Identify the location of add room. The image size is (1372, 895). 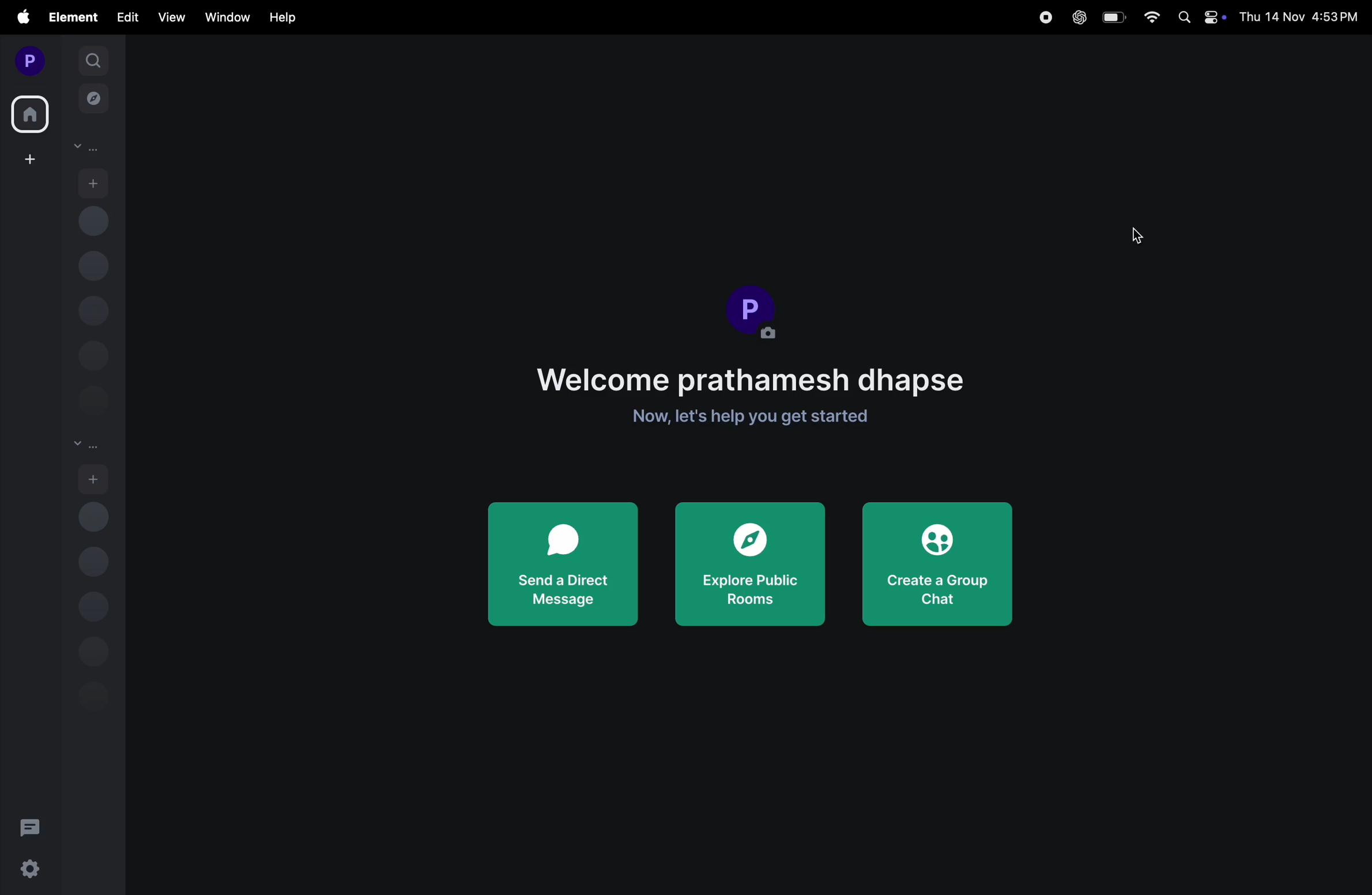
(96, 479).